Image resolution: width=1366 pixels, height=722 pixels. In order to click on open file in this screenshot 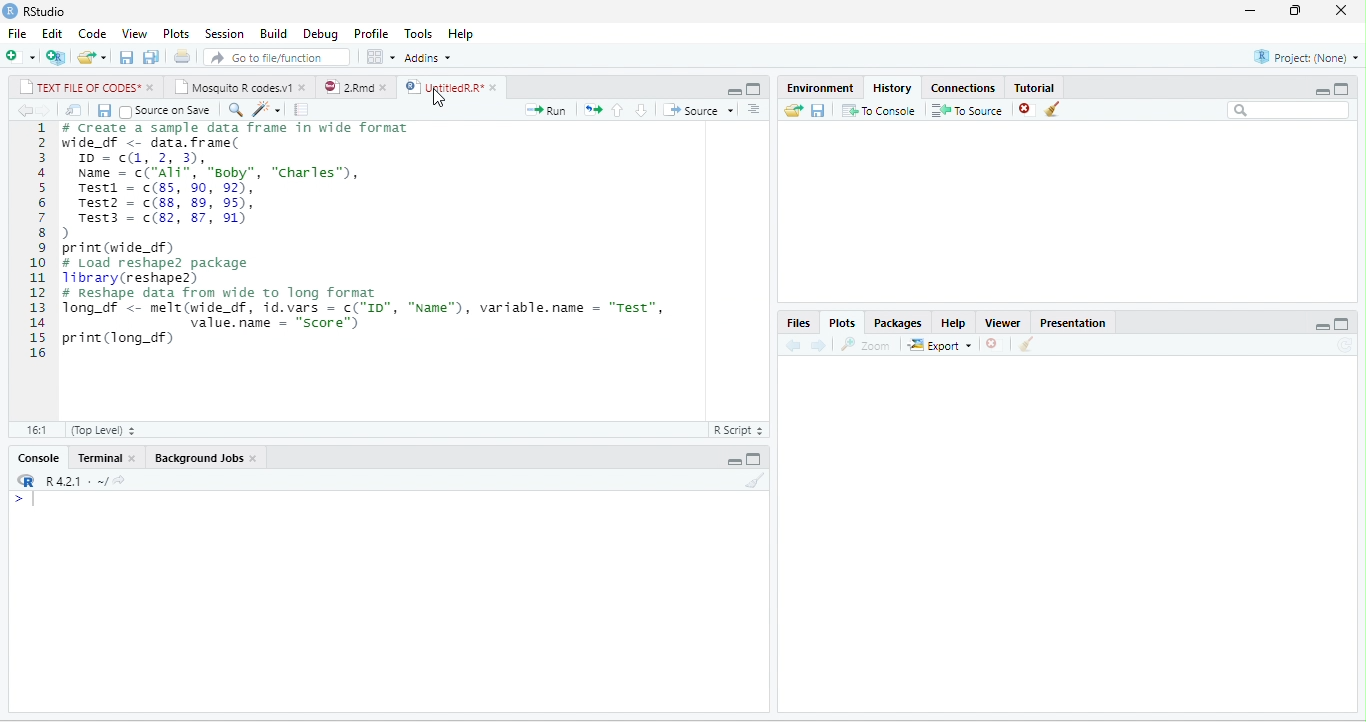, I will do `click(92, 57)`.